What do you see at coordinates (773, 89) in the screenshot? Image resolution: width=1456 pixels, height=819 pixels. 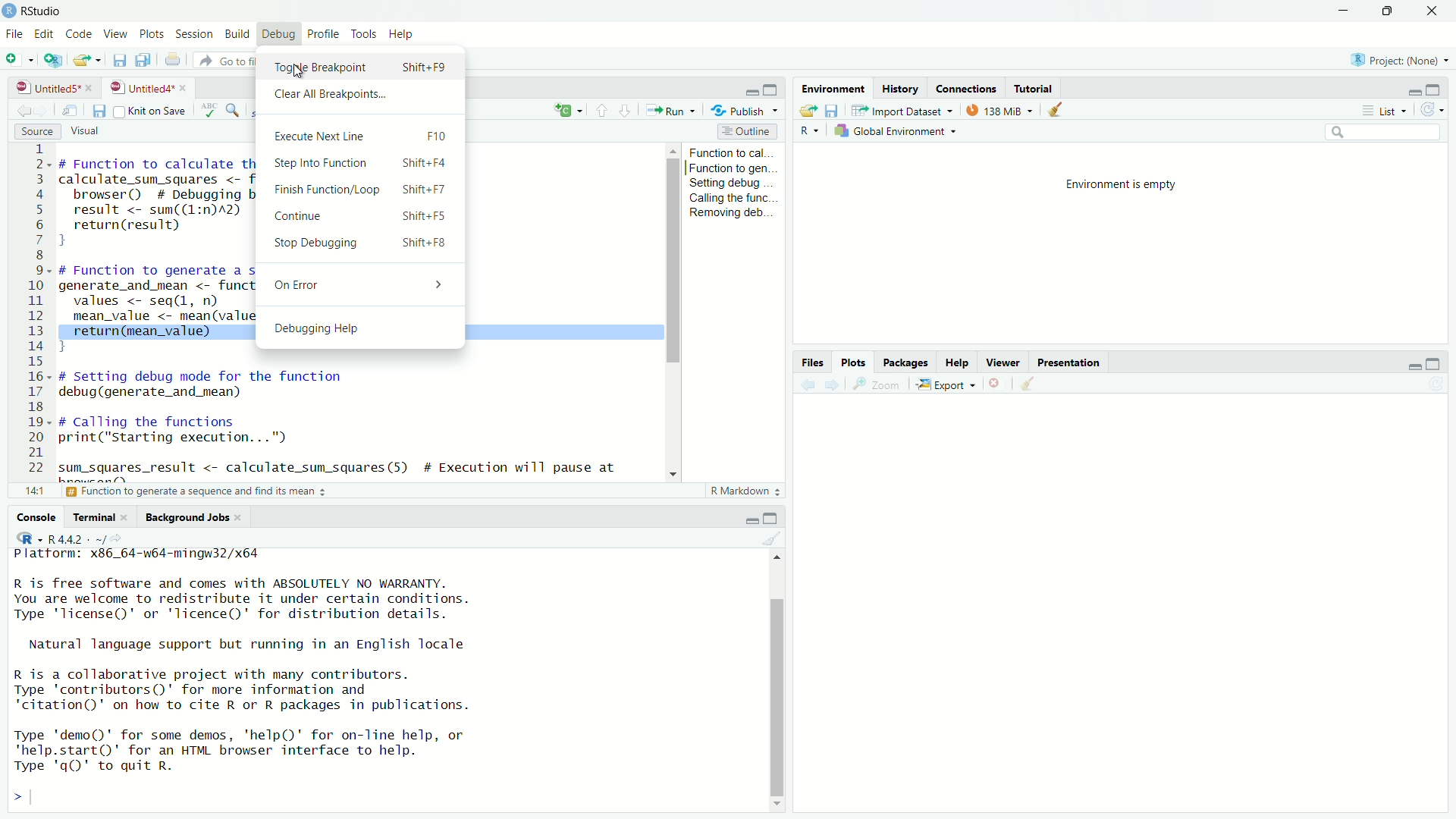 I see `maximize` at bounding box center [773, 89].